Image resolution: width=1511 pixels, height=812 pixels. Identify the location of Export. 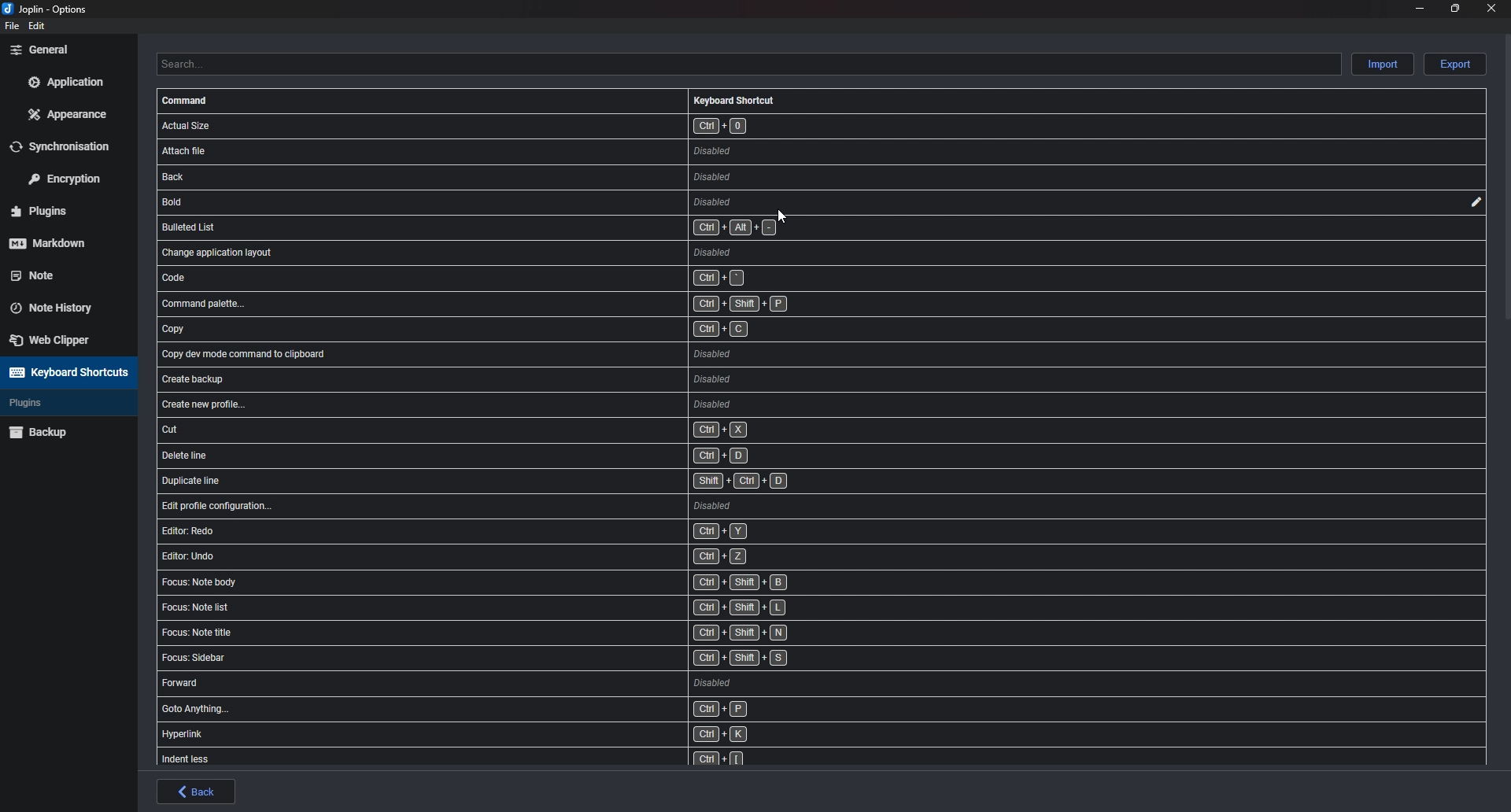
(1455, 65).